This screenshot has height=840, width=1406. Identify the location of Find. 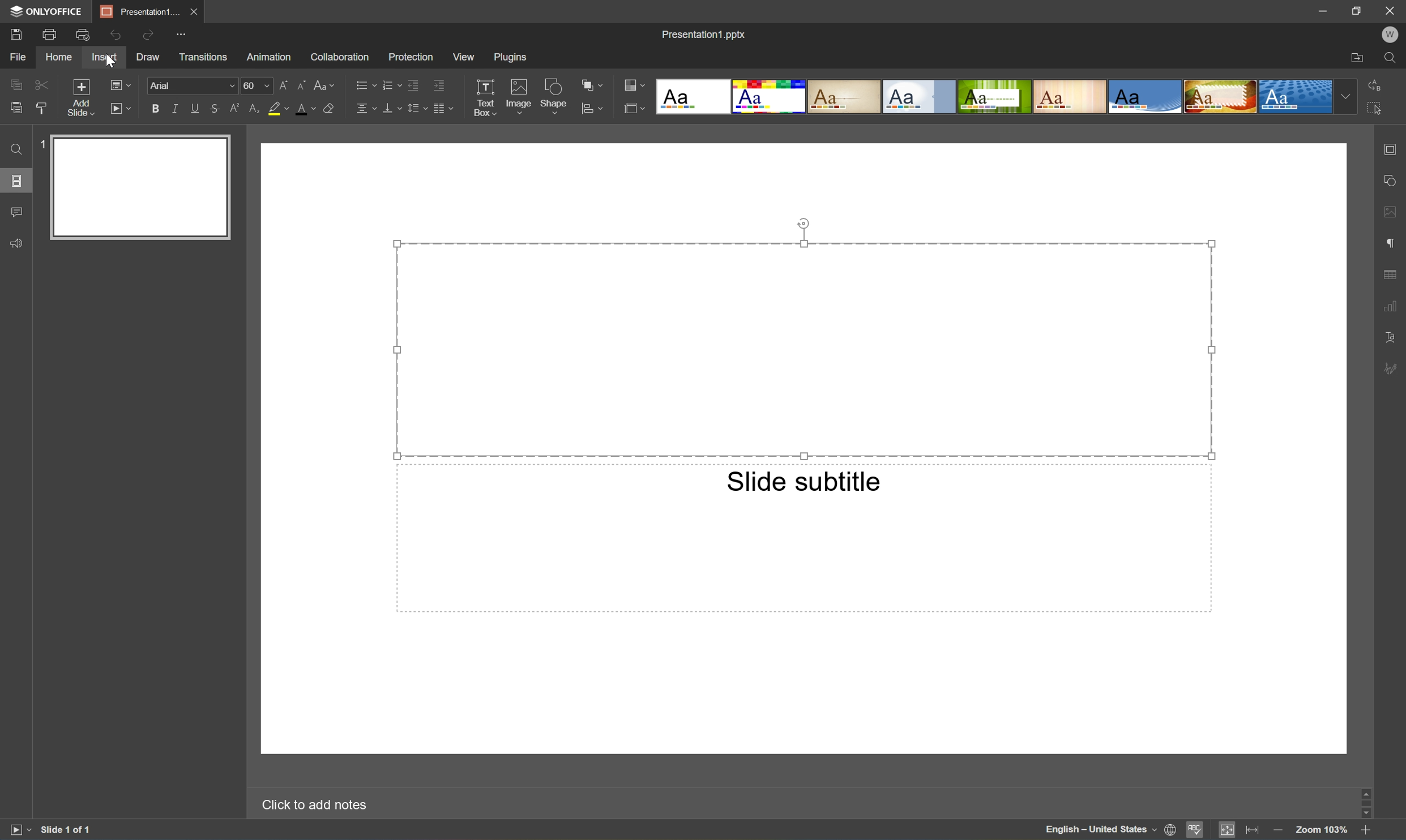
(1394, 58).